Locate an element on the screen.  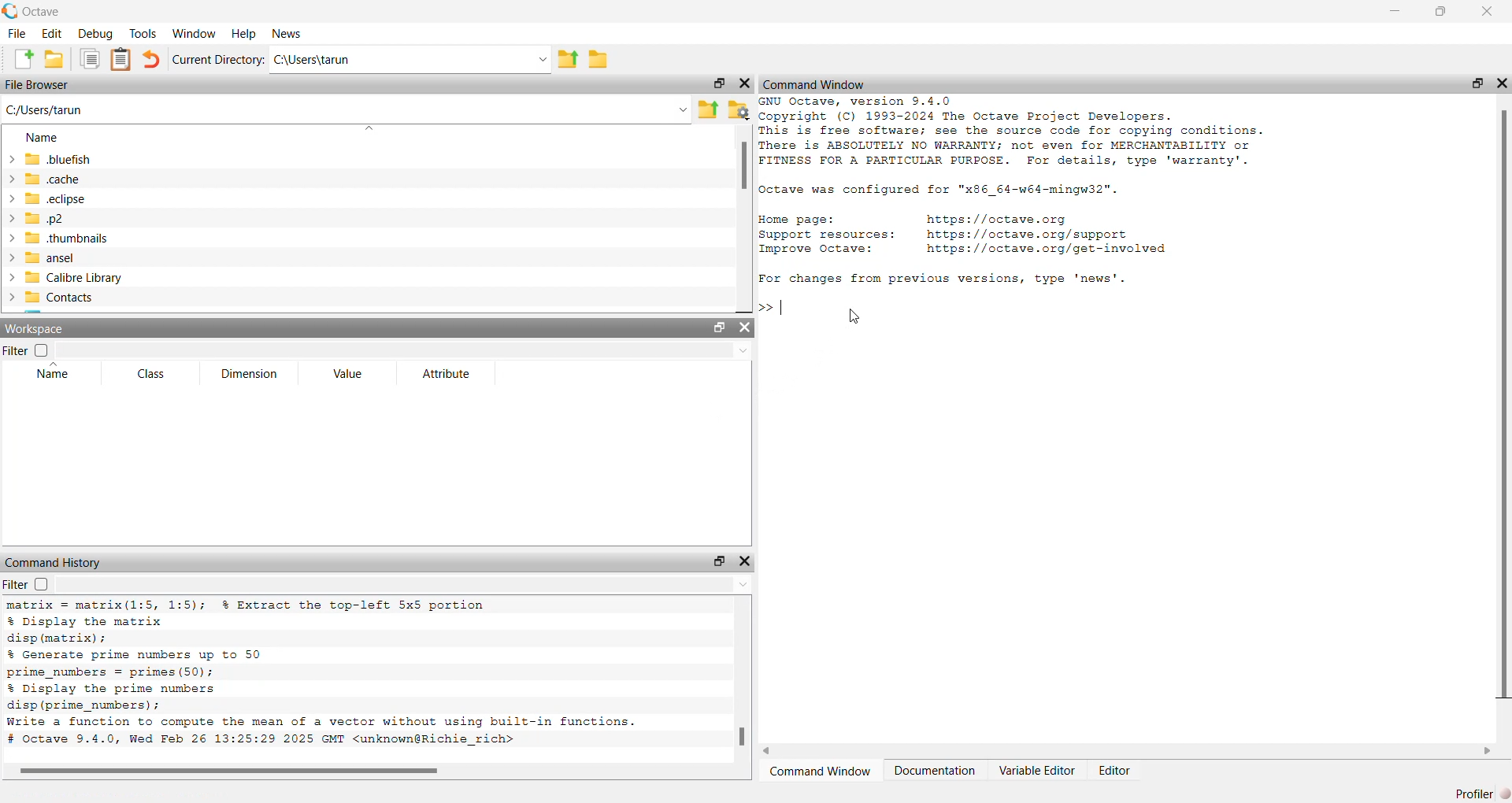
C;/Users/tarun is located at coordinates (46, 111).